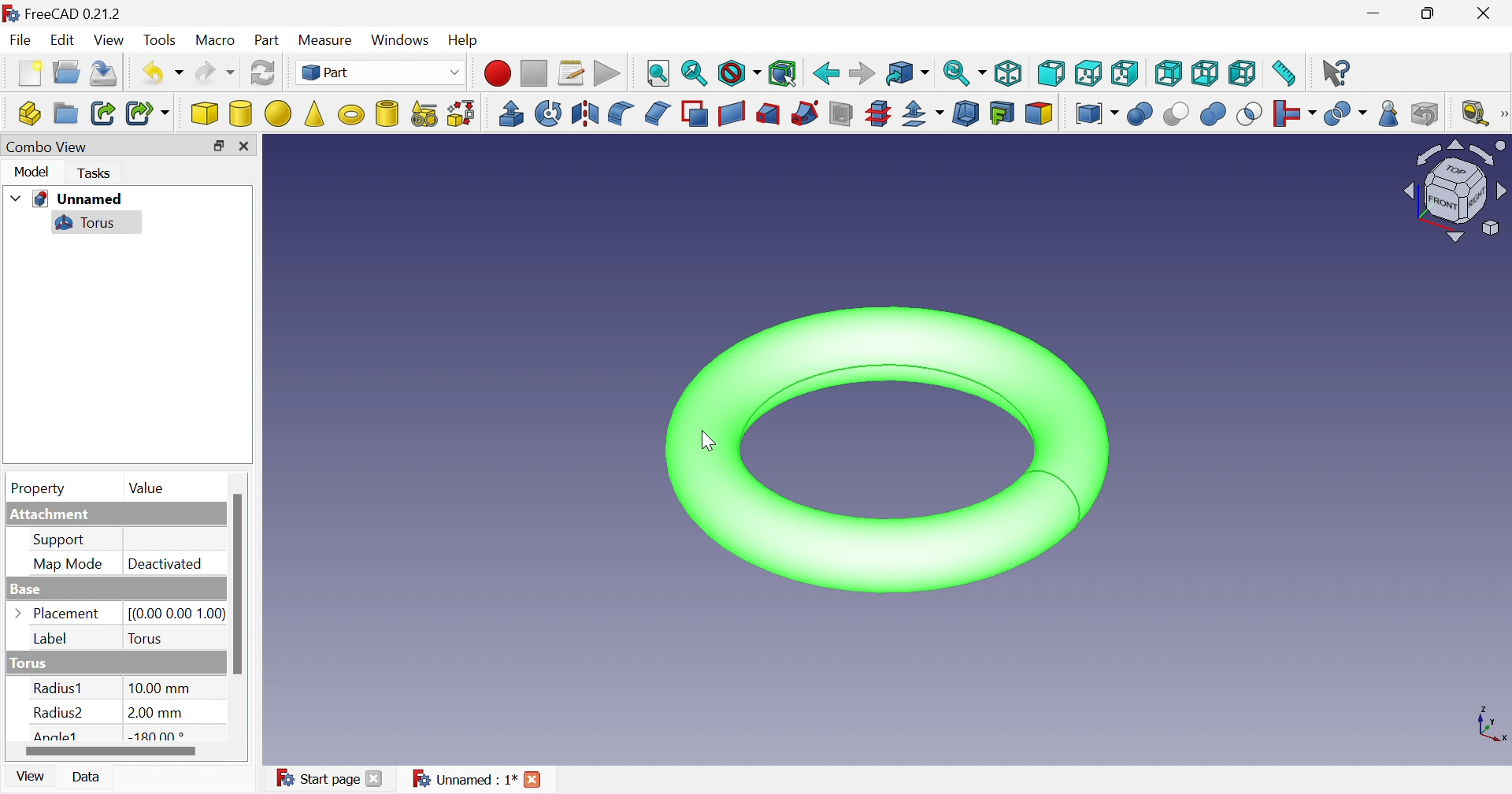 The width and height of the screenshot is (1512, 794). What do you see at coordinates (465, 41) in the screenshot?
I see `Help` at bounding box center [465, 41].